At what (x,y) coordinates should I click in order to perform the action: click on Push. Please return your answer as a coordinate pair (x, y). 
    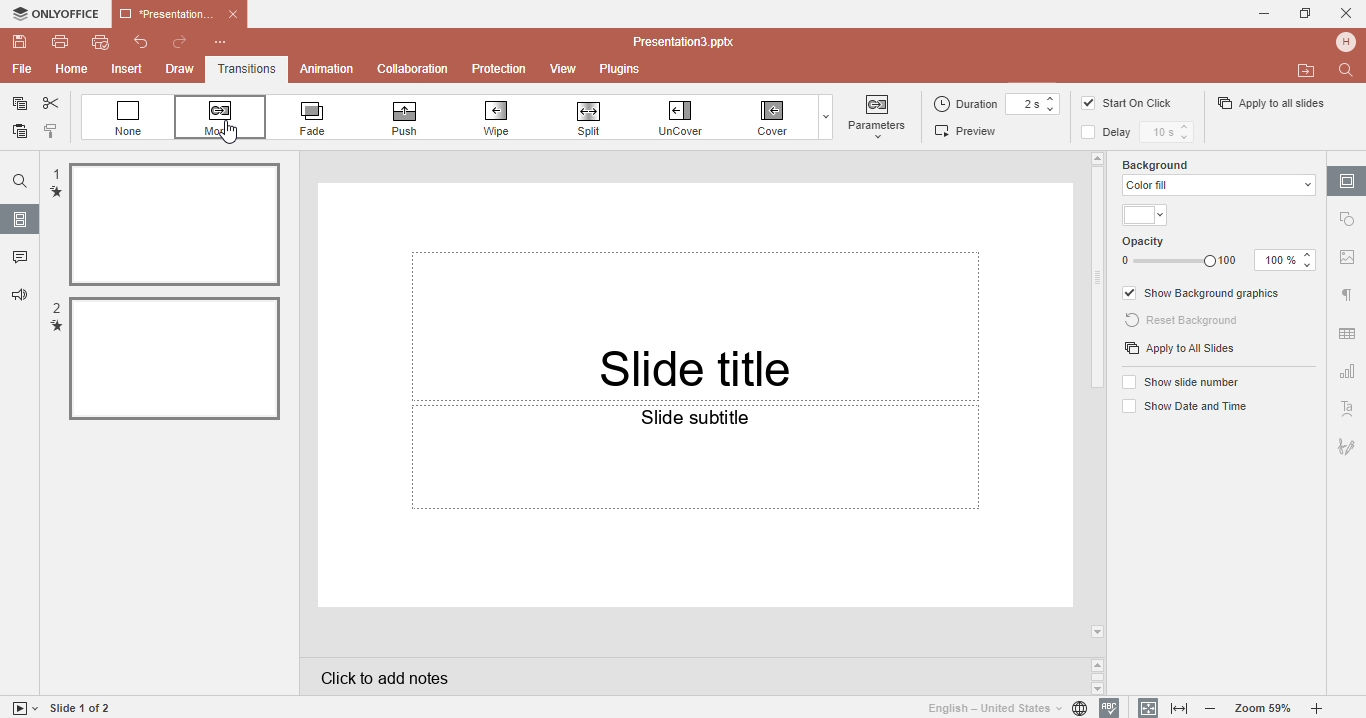
    Looking at the image, I should click on (421, 118).